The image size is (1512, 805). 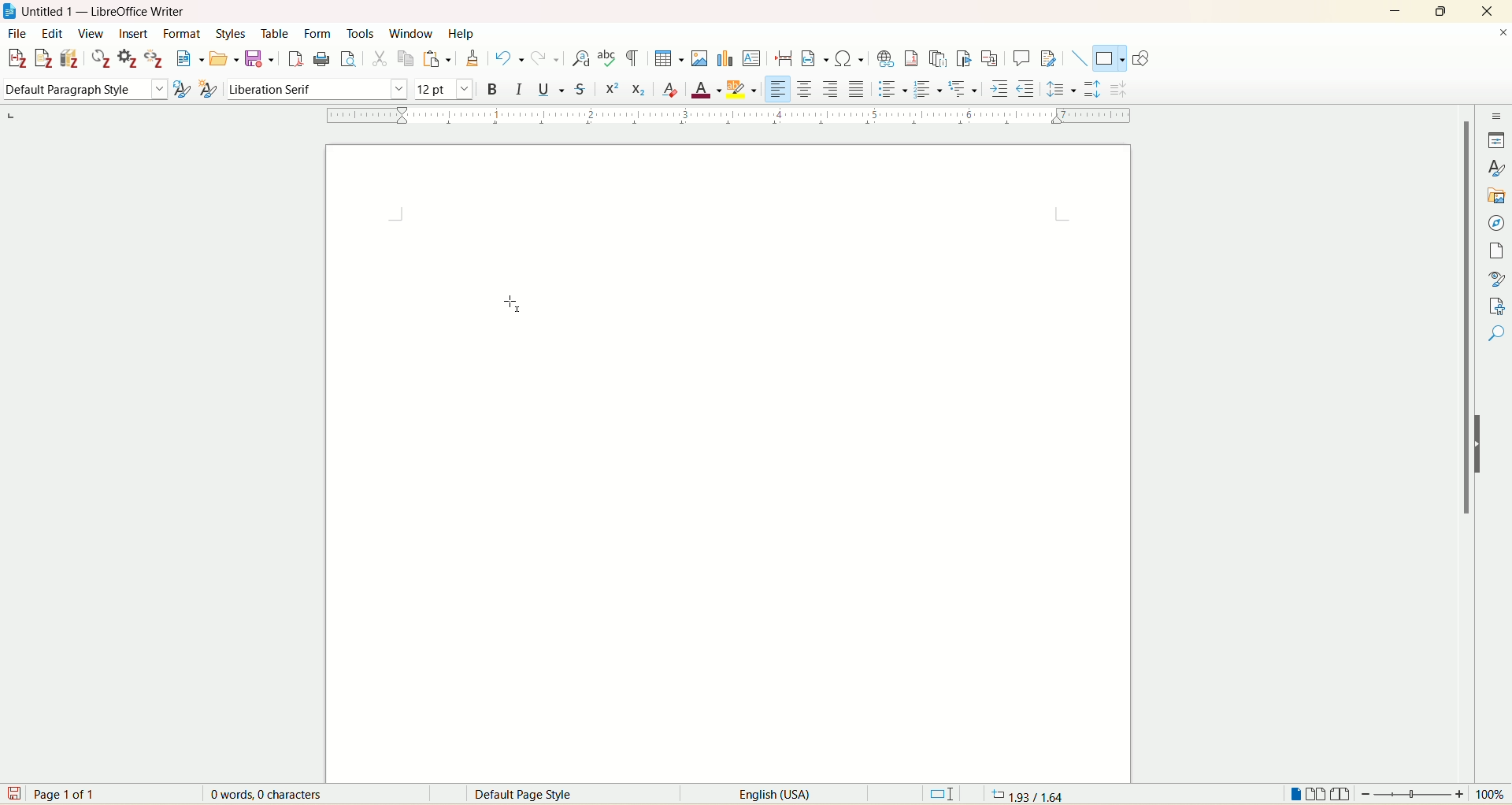 I want to click on cut, so click(x=379, y=61).